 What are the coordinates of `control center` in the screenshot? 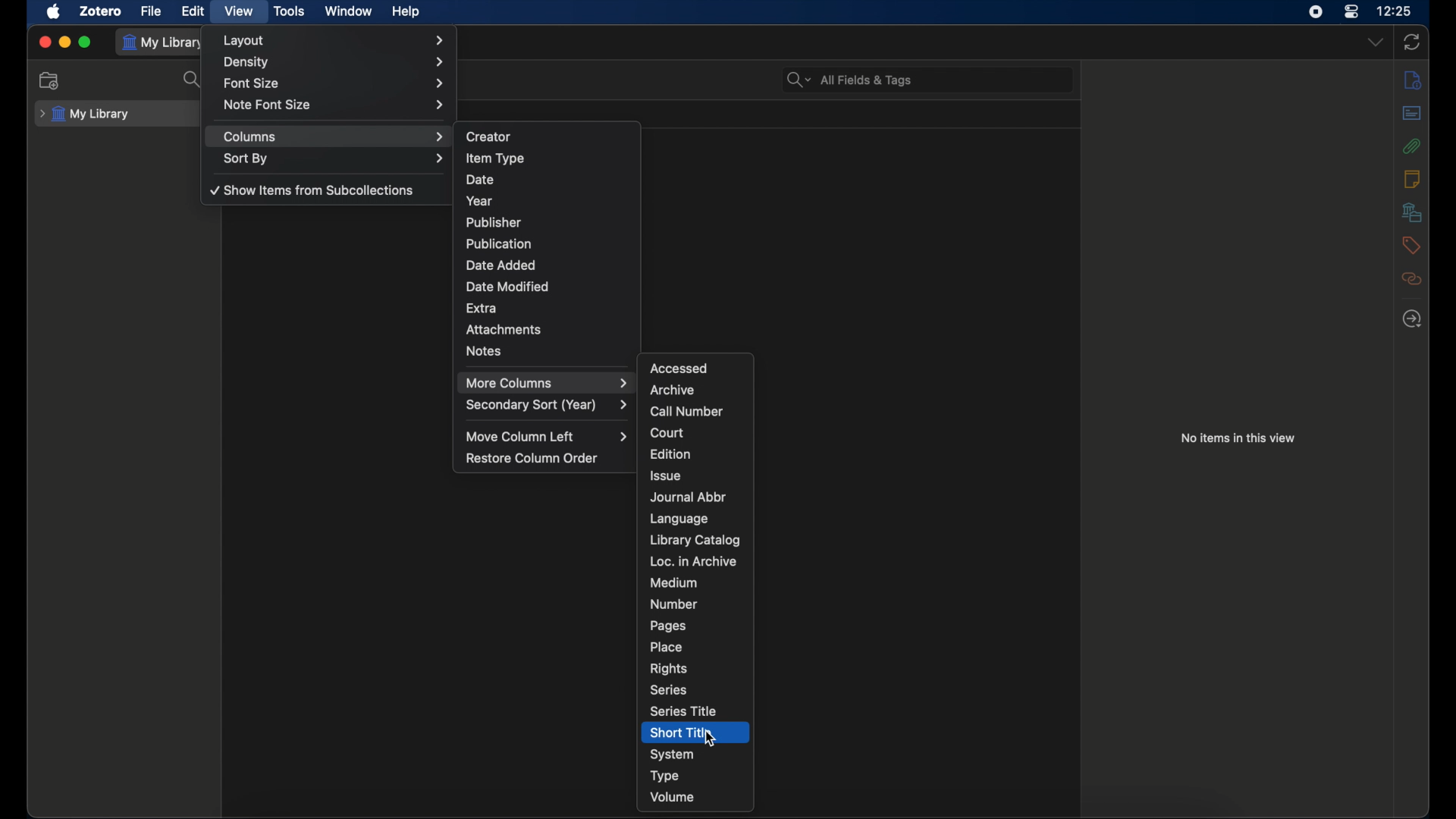 It's located at (1352, 11).